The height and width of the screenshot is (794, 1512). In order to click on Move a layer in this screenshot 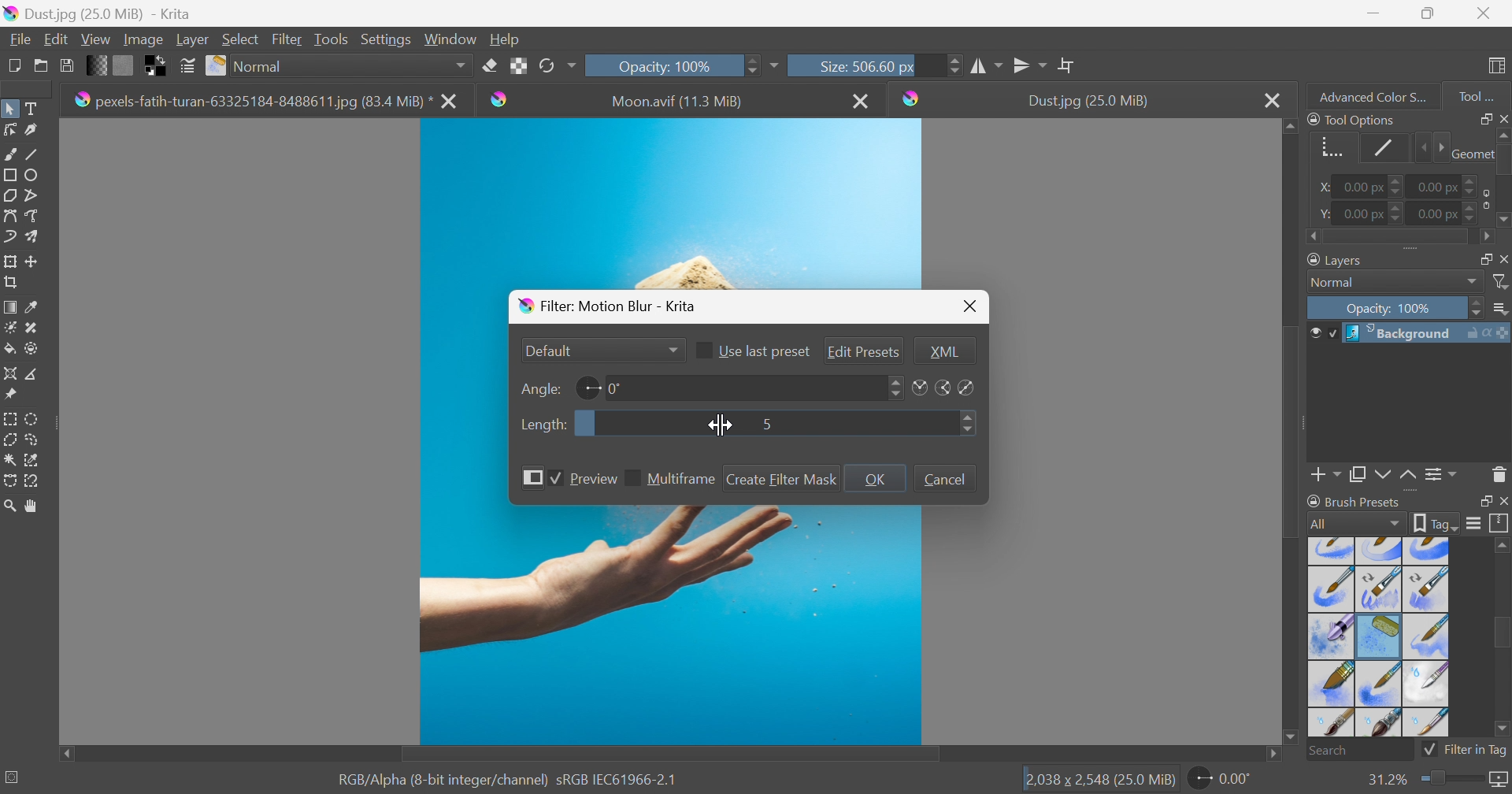, I will do `click(35, 261)`.